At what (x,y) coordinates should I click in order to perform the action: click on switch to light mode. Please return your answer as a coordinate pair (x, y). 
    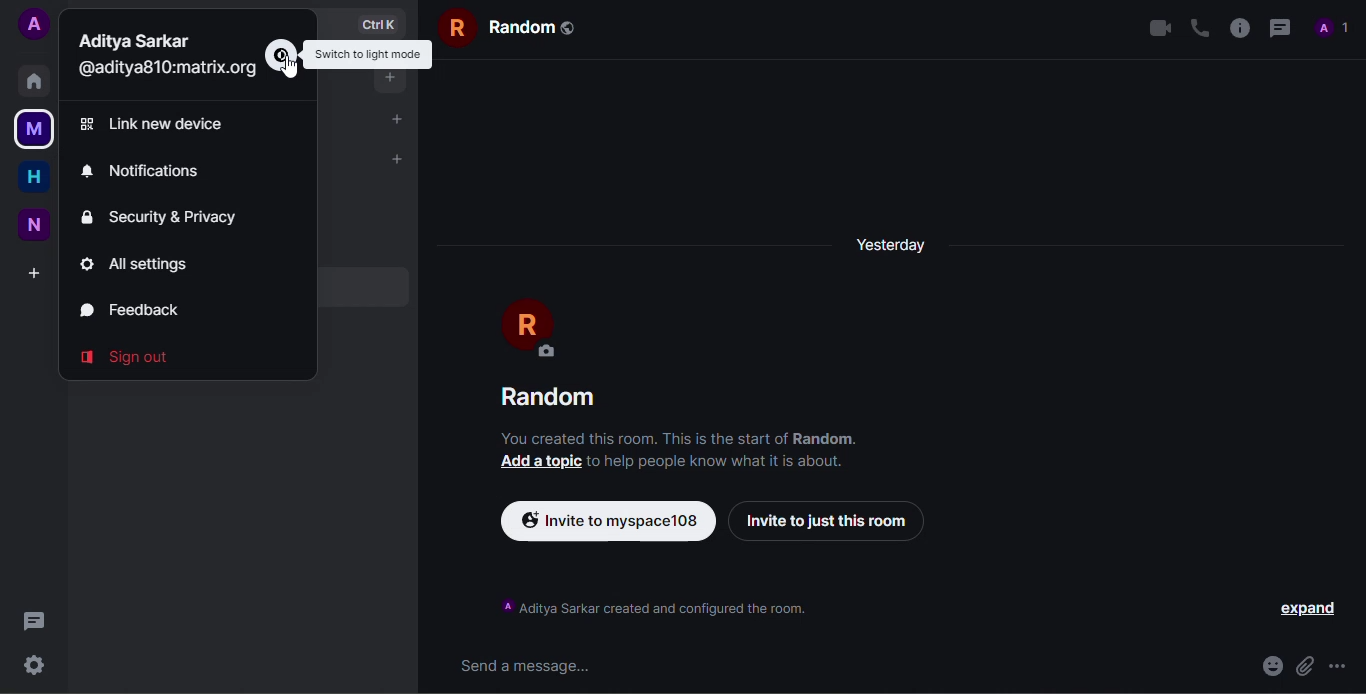
    Looking at the image, I should click on (370, 54).